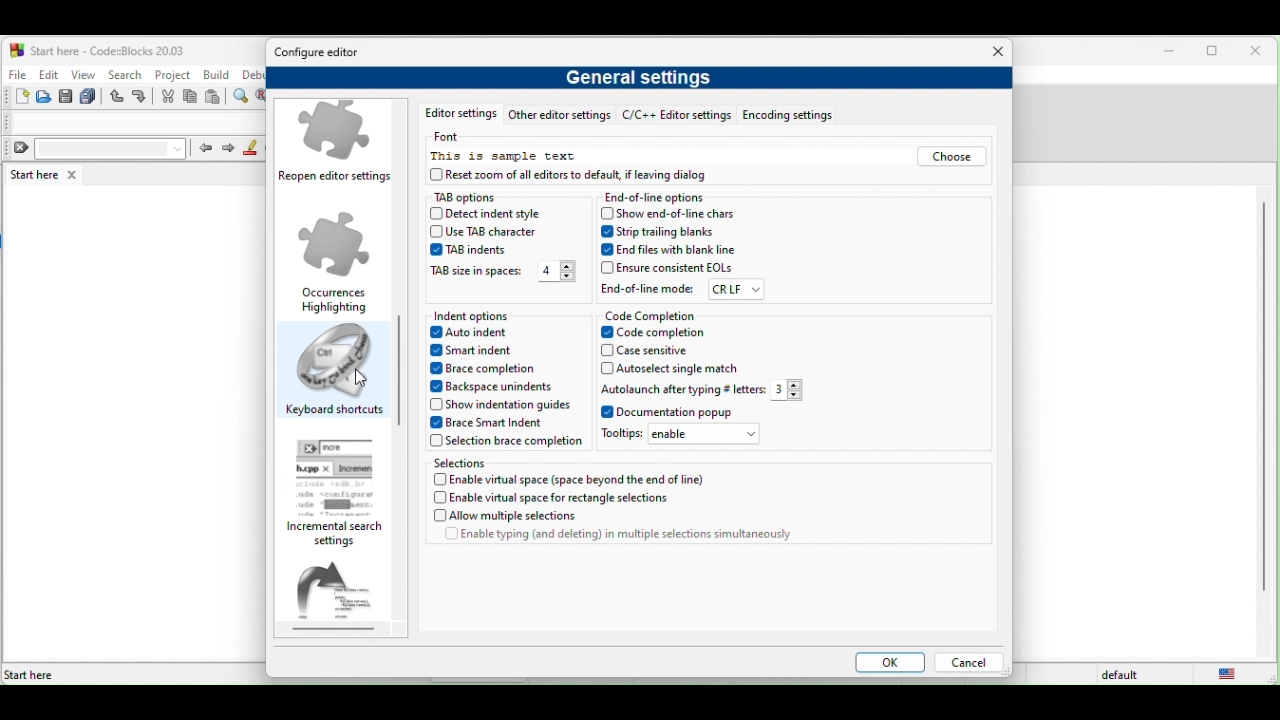 This screenshot has width=1280, height=720. Describe the element at coordinates (993, 53) in the screenshot. I see `close` at that location.